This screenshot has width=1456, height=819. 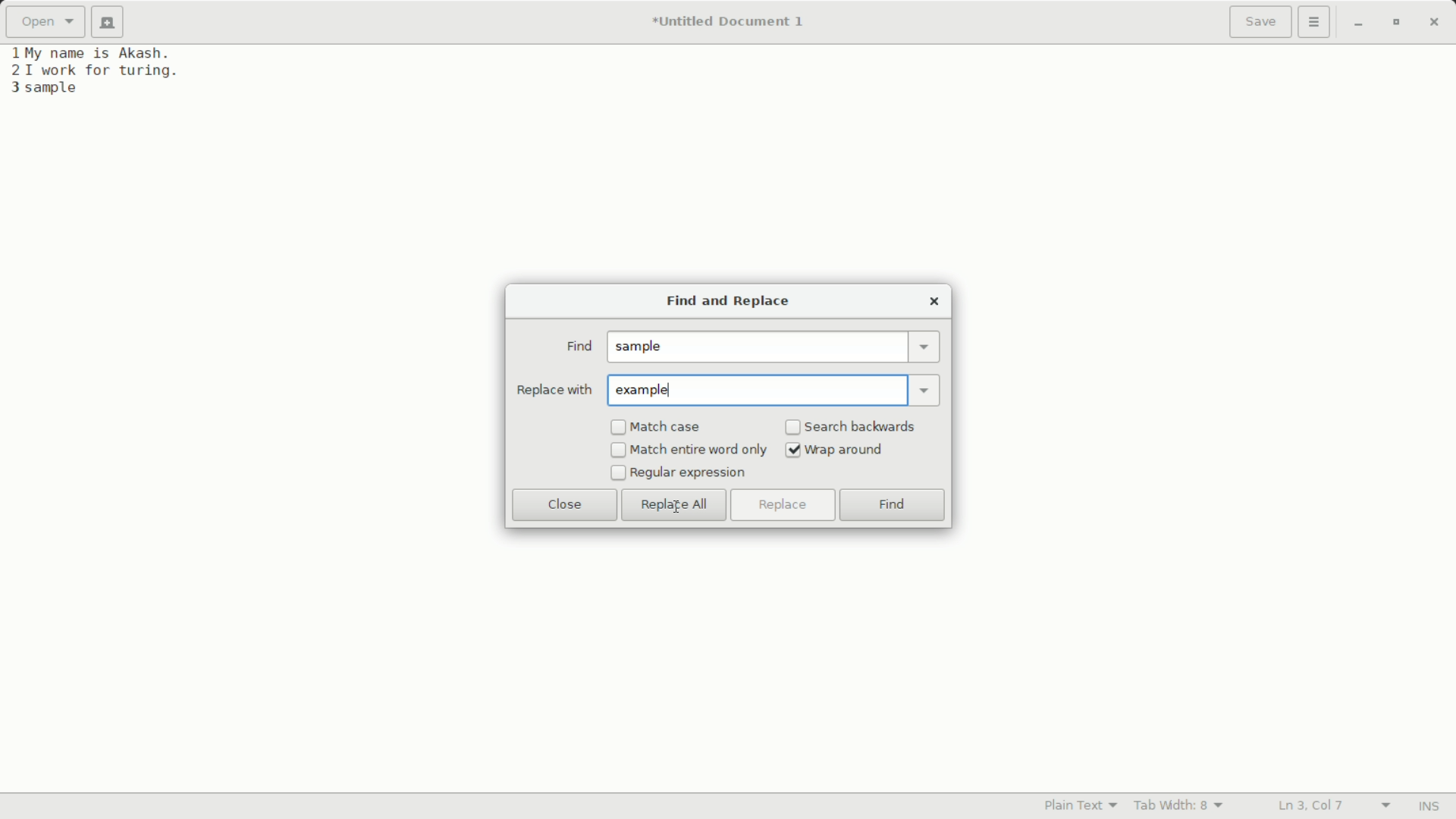 What do you see at coordinates (862, 426) in the screenshot?
I see `search backwards` at bounding box center [862, 426].